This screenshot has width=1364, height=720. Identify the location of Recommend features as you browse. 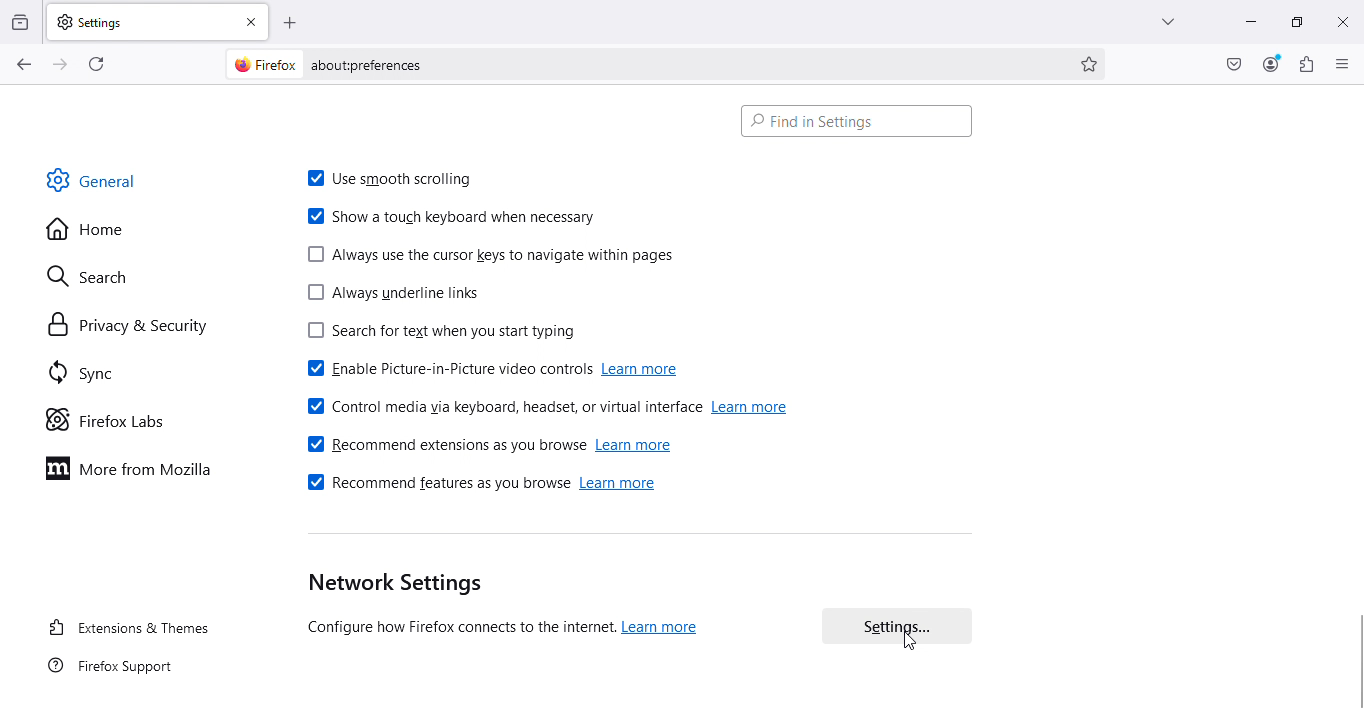
(435, 487).